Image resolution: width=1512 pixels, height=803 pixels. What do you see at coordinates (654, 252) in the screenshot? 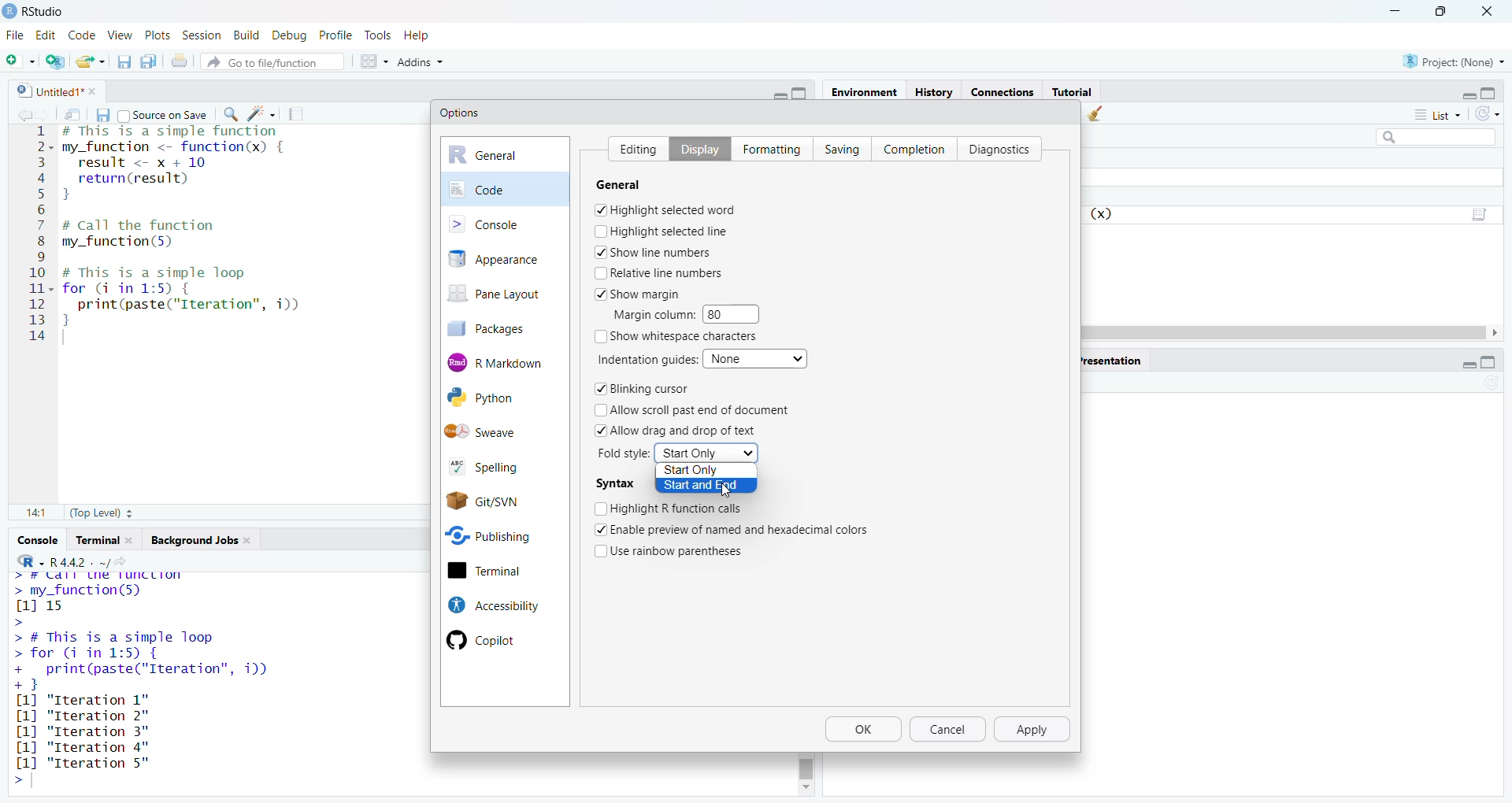
I see `show line numbers` at bounding box center [654, 252].